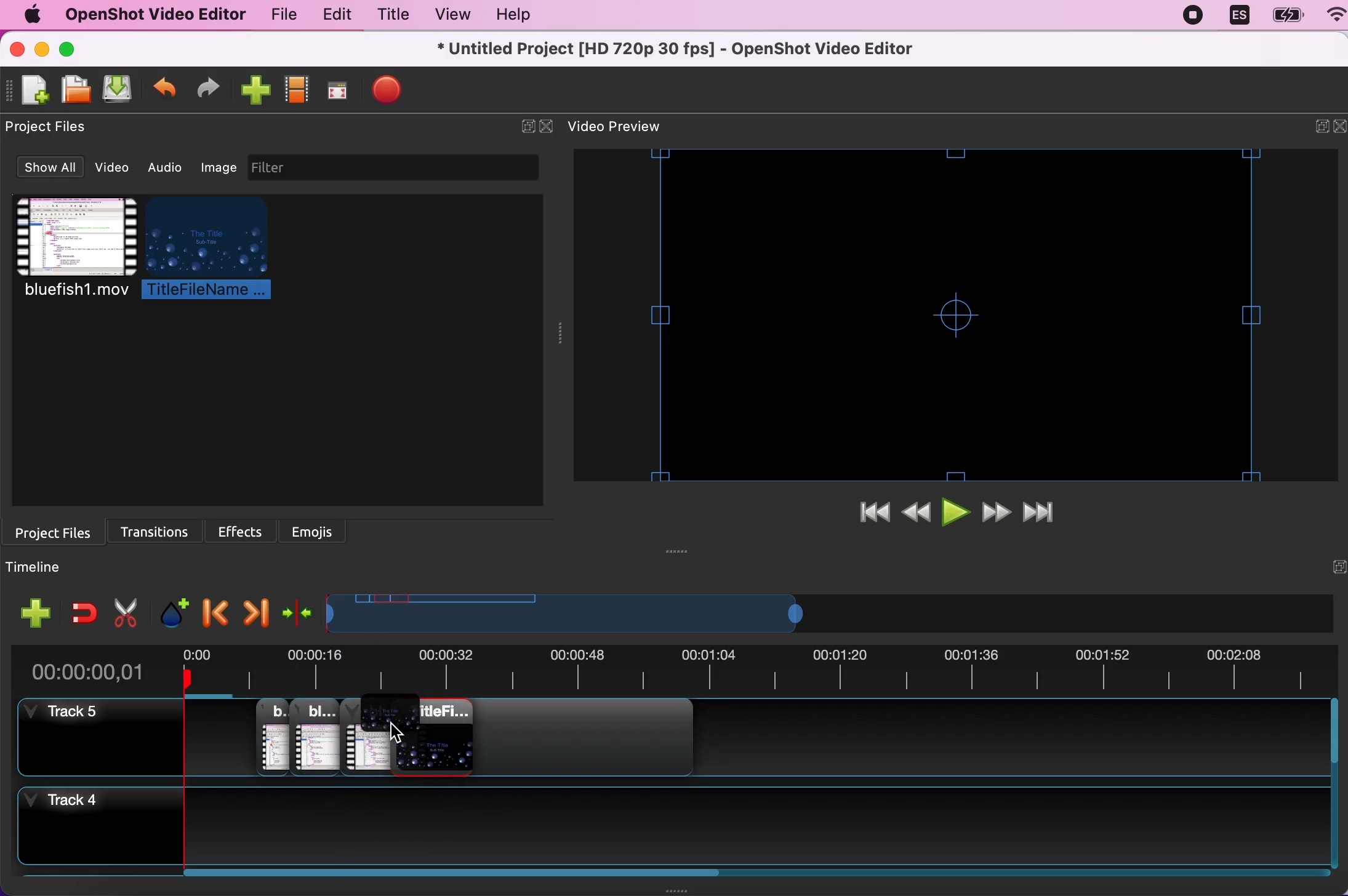 This screenshot has height=896, width=1348. Describe the element at coordinates (299, 611) in the screenshot. I see `center the timeline` at that location.